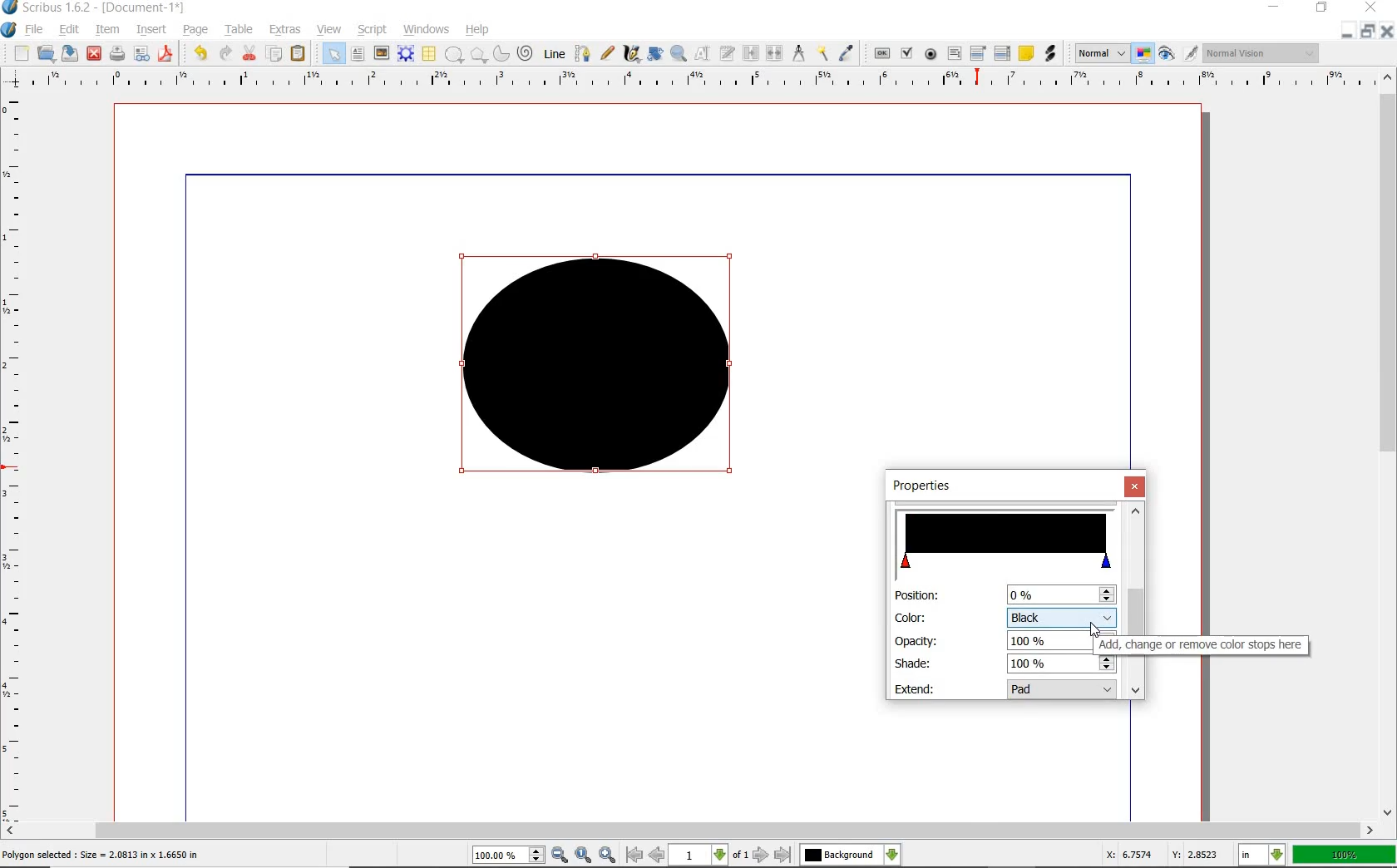 The height and width of the screenshot is (868, 1397). Describe the element at coordinates (1368, 32) in the screenshot. I see `RESTORE` at that location.